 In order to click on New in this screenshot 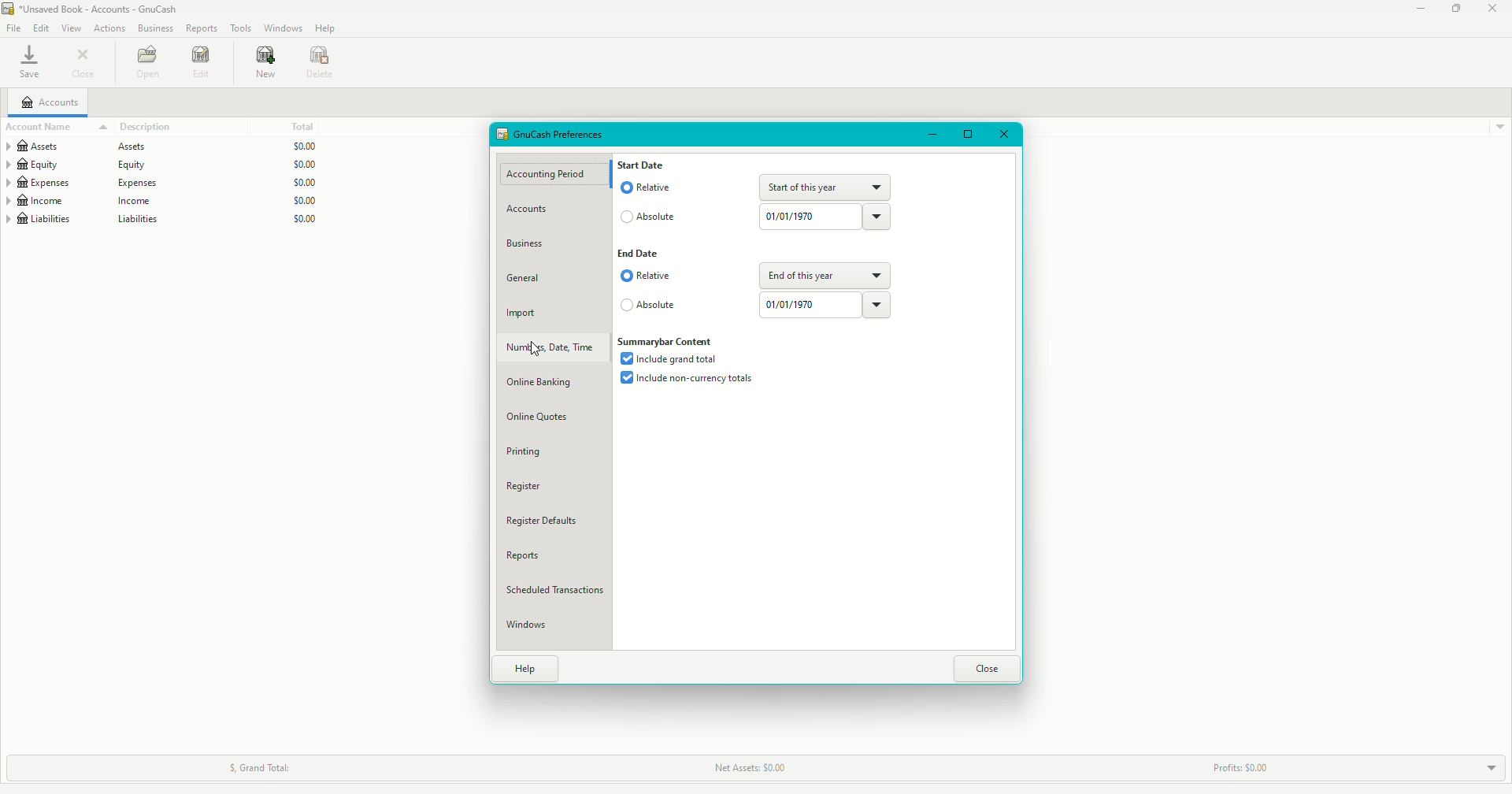, I will do `click(263, 64)`.